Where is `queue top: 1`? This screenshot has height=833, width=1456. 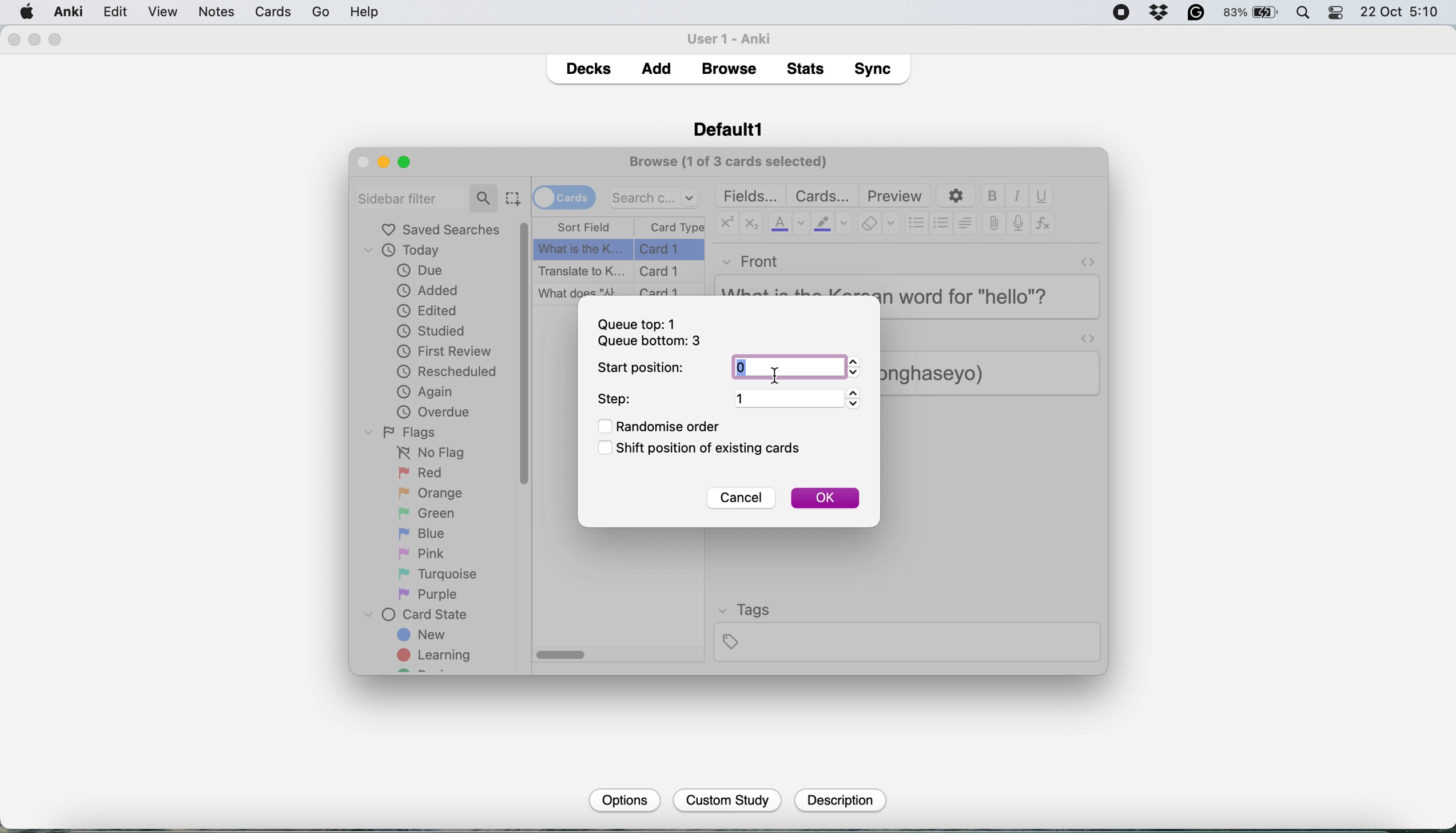
queue top: 1 is located at coordinates (640, 324).